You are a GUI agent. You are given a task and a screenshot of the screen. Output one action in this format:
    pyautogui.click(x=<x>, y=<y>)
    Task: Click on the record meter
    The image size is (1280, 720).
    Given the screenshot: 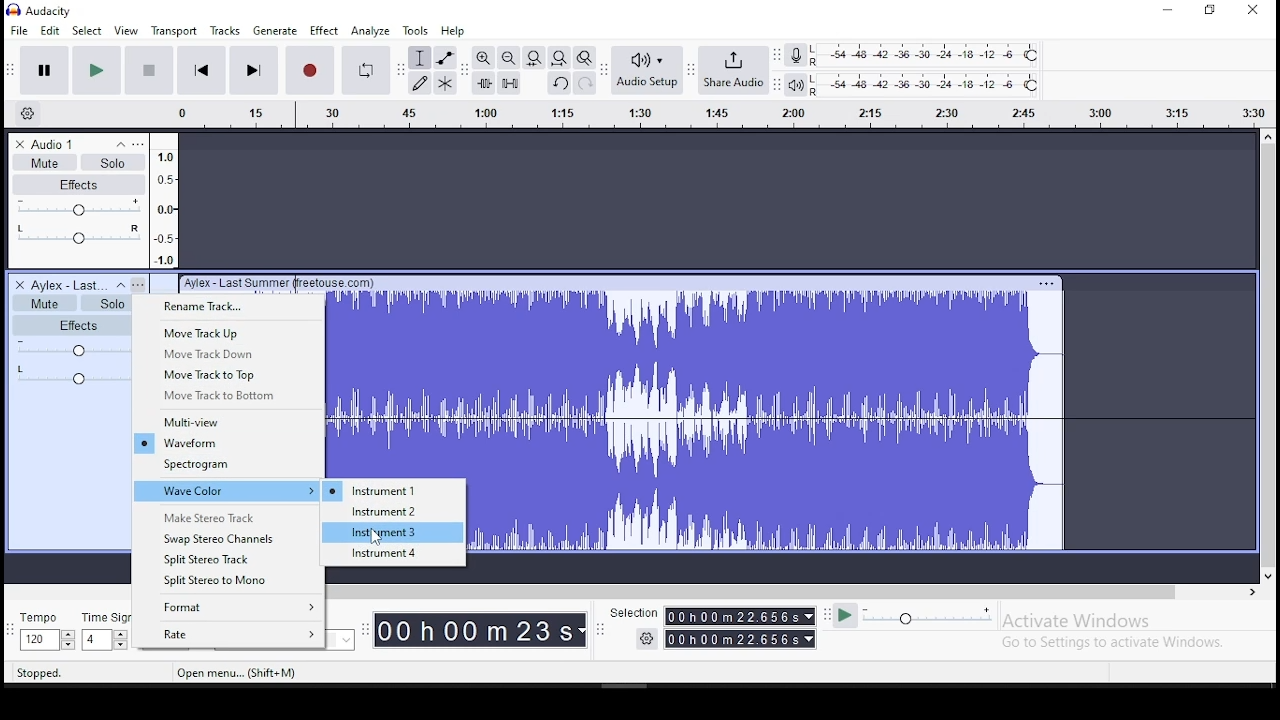 What is the action you would take?
    pyautogui.click(x=796, y=56)
    